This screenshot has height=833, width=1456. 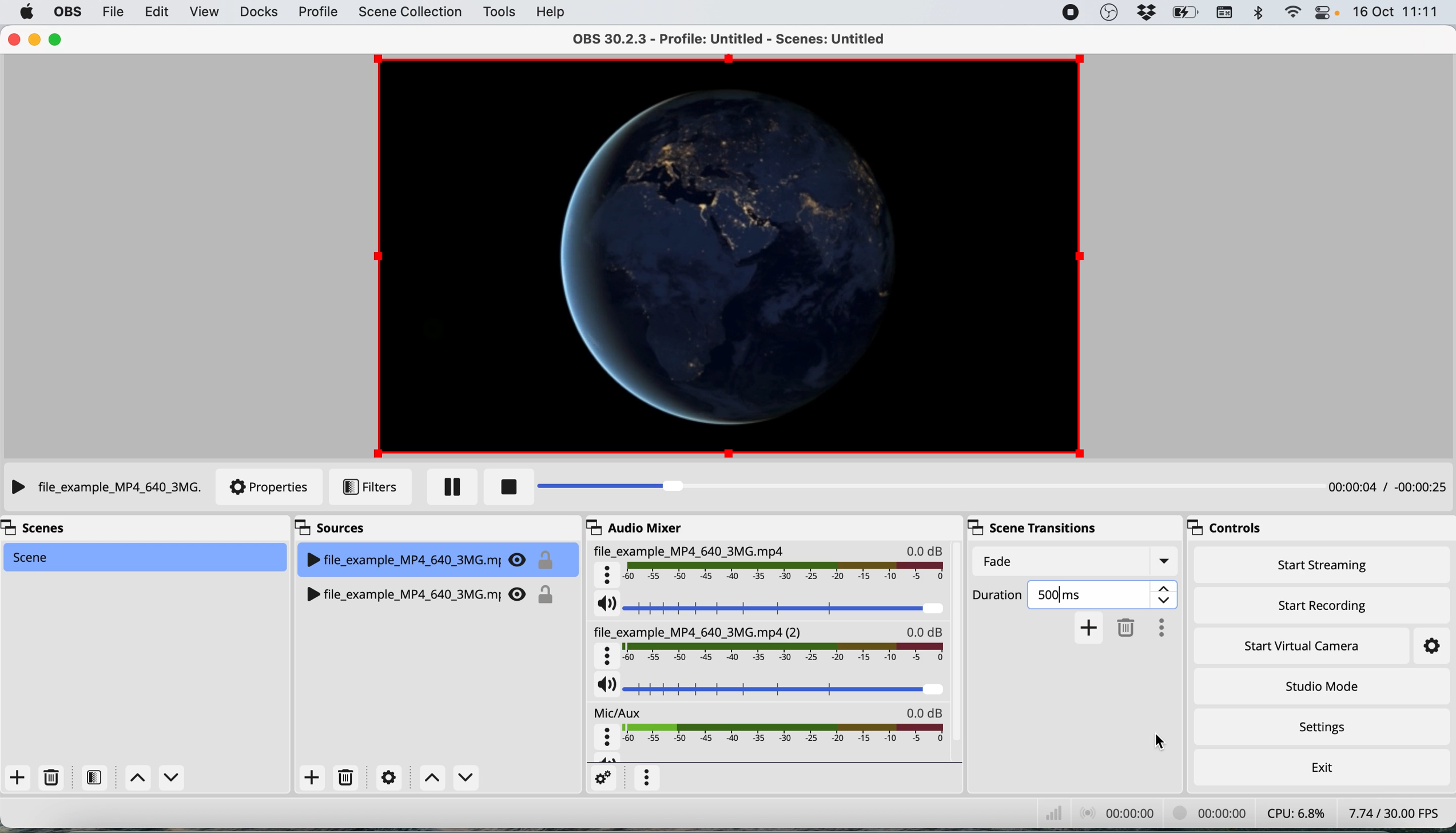 What do you see at coordinates (411, 13) in the screenshot?
I see `scene collection` at bounding box center [411, 13].